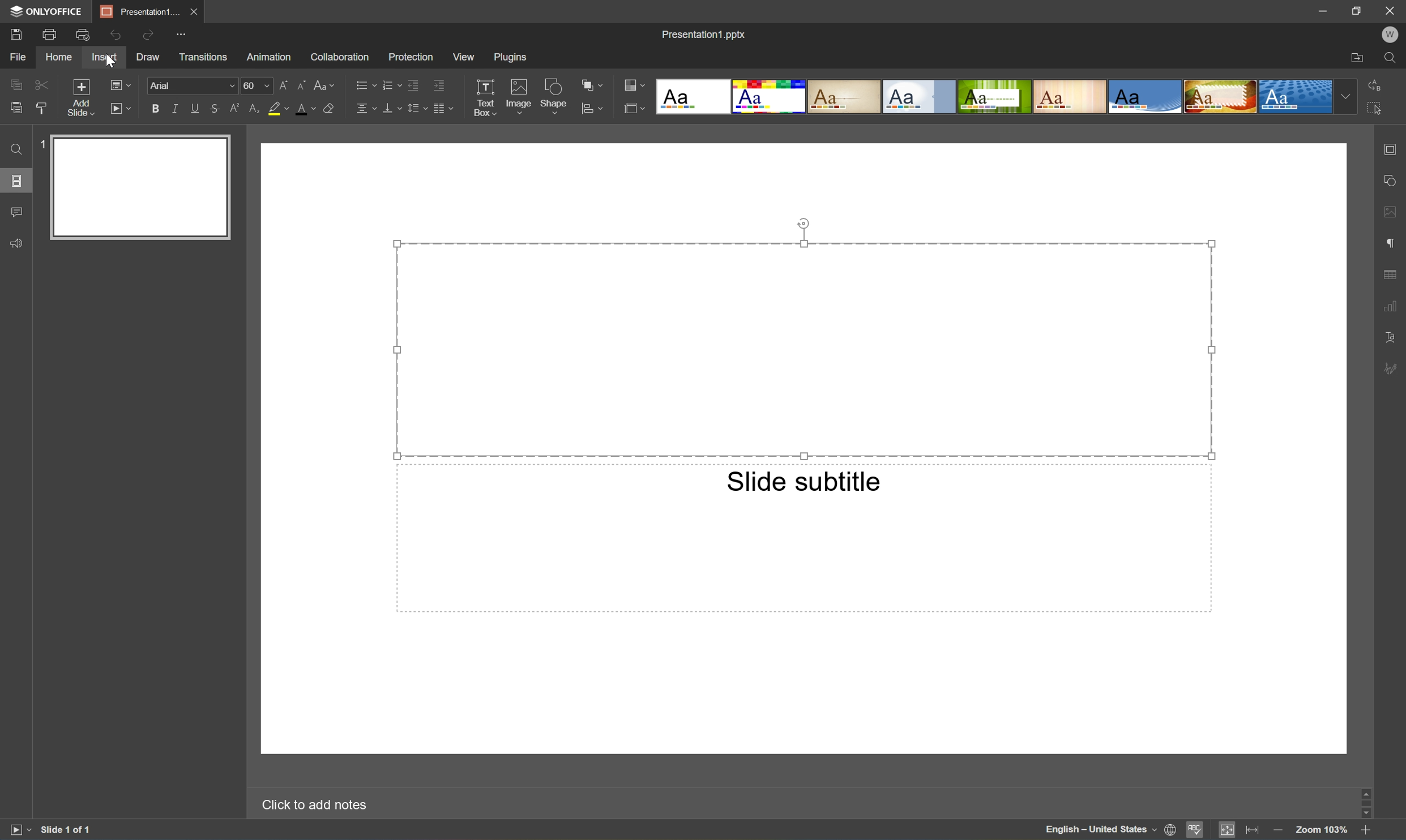 Image resolution: width=1406 pixels, height=840 pixels. What do you see at coordinates (592, 84) in the screenshot?
I see `Arrange shape` at bounding box center [592, 84].